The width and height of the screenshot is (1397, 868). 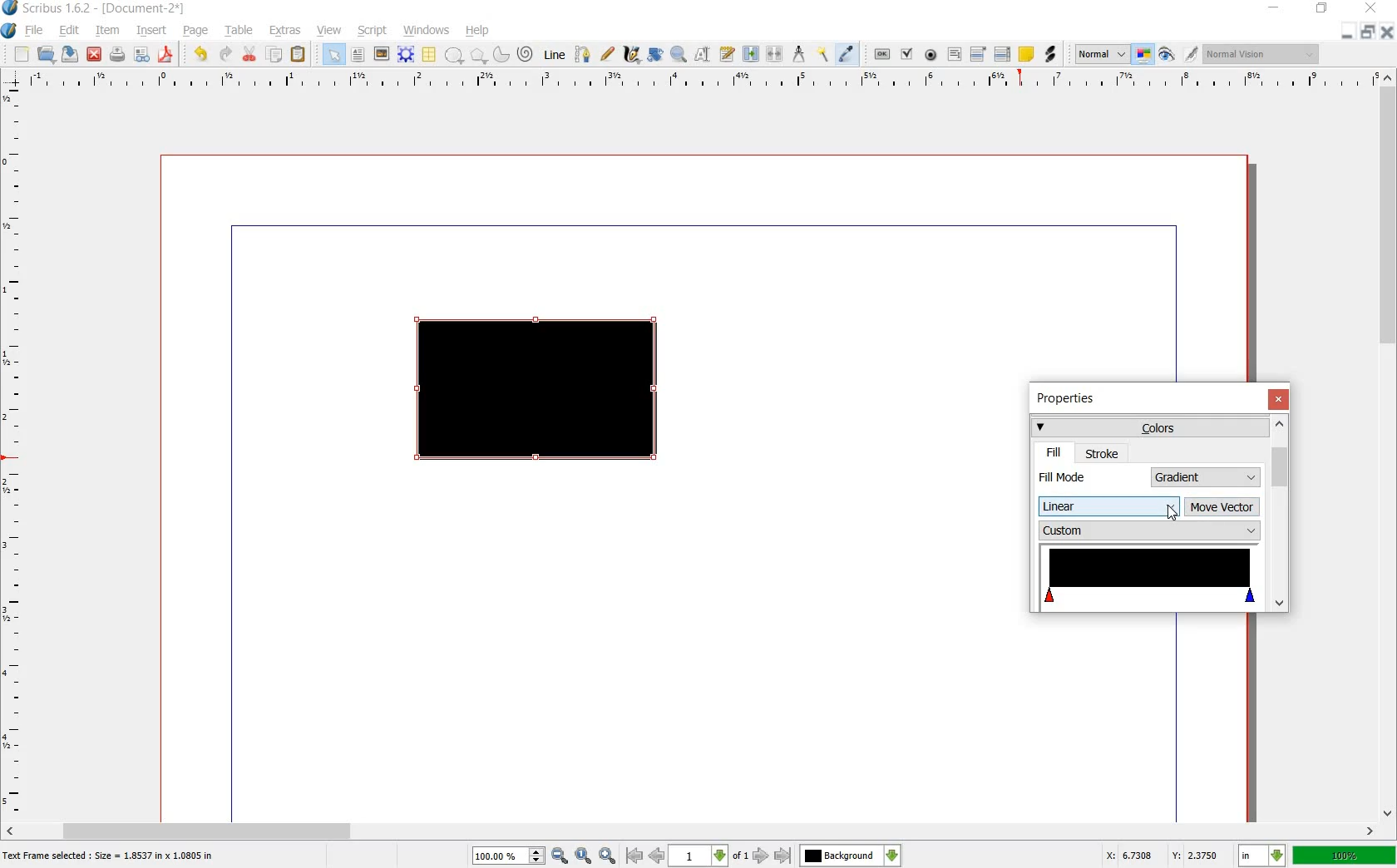 I want to click on measurement, so click(x=800, y=53).